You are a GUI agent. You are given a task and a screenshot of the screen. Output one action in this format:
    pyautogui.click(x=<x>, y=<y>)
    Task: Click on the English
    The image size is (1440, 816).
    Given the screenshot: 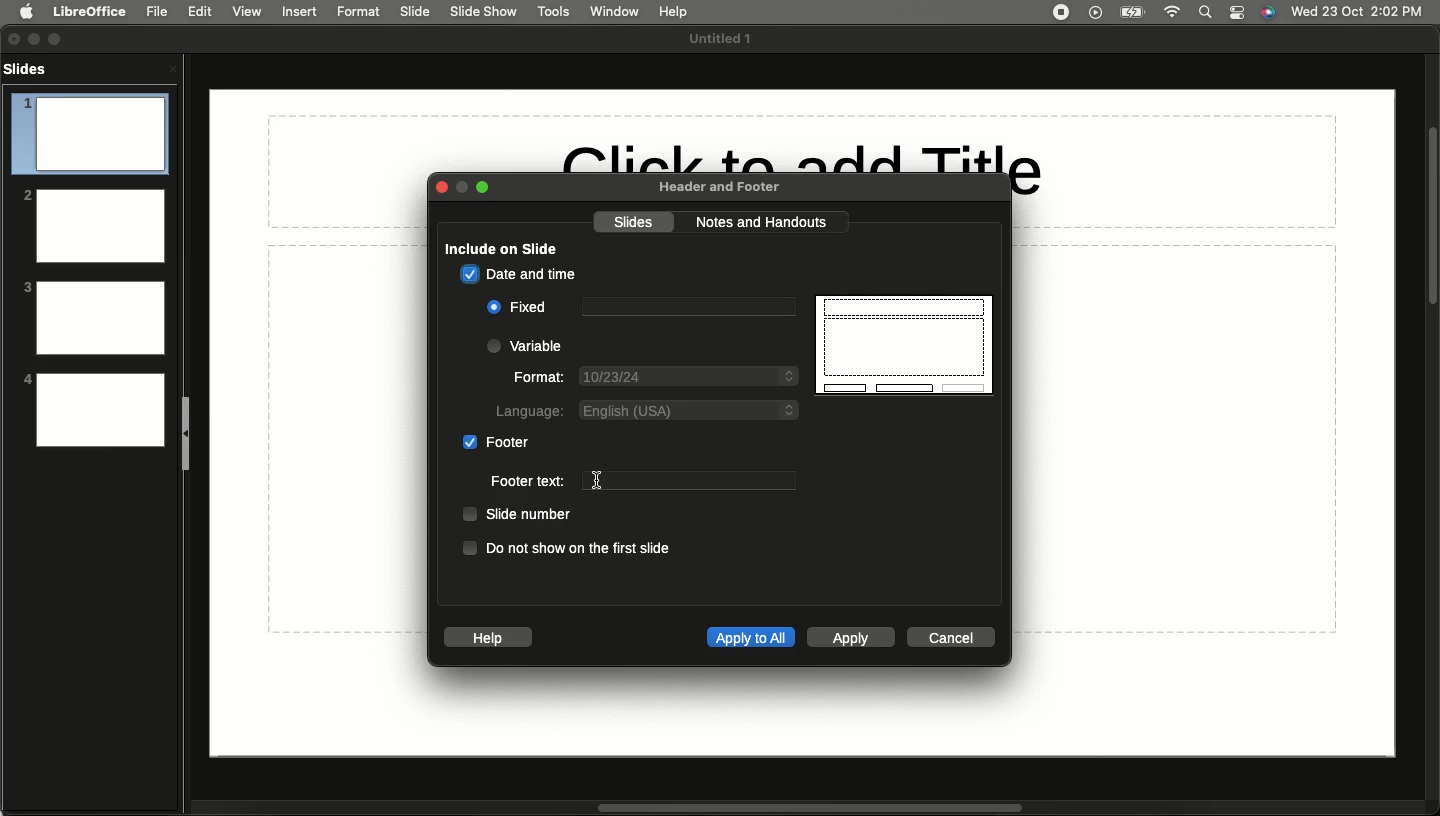 What is the action you would take?
    pyautogui.click(x=690, y=409)
    